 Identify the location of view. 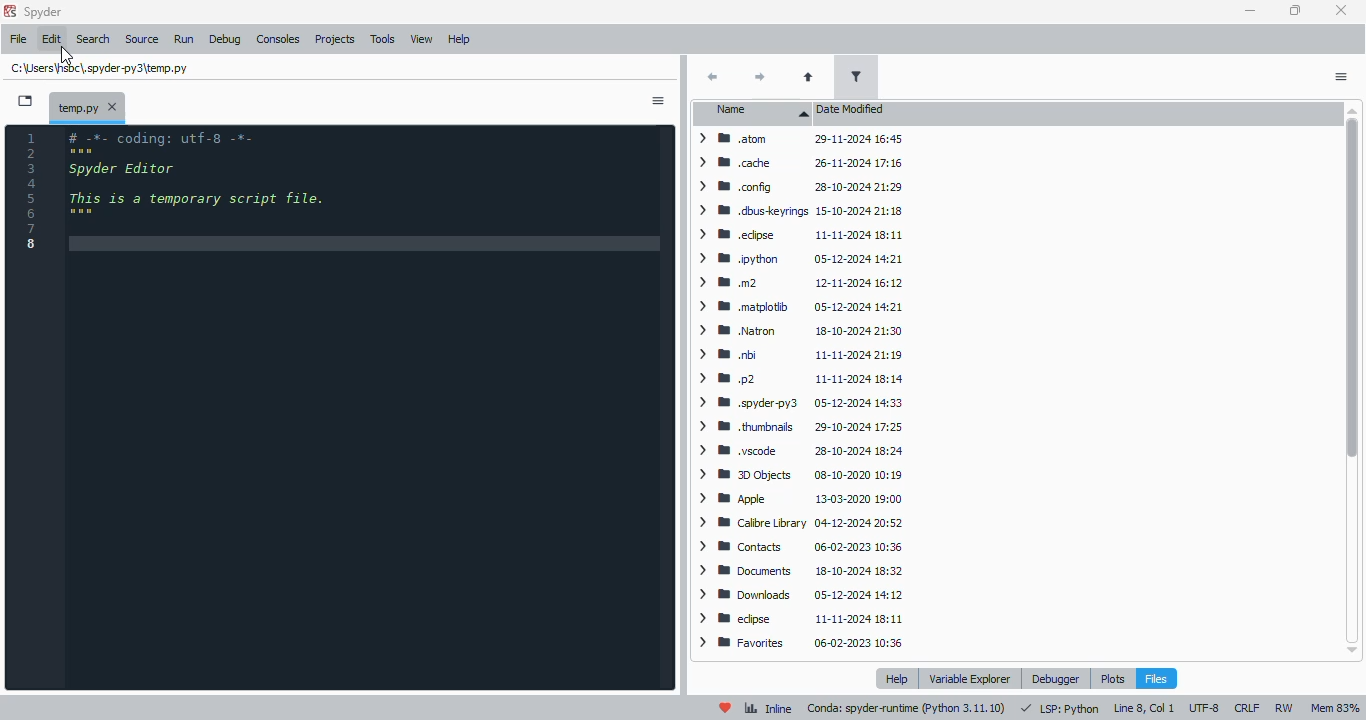
(423, 39).